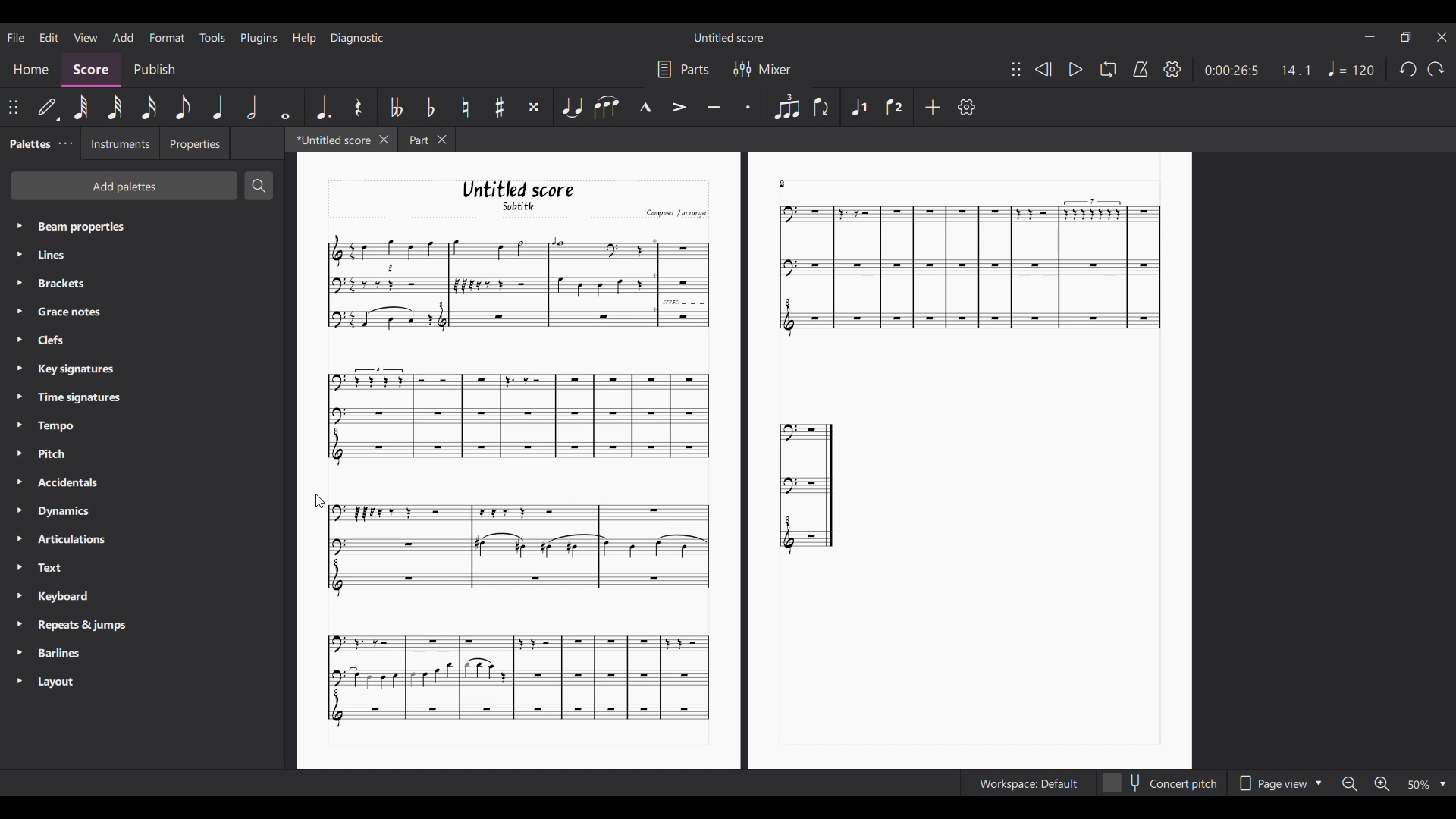  I want to click on Slur, so click(607, 108).